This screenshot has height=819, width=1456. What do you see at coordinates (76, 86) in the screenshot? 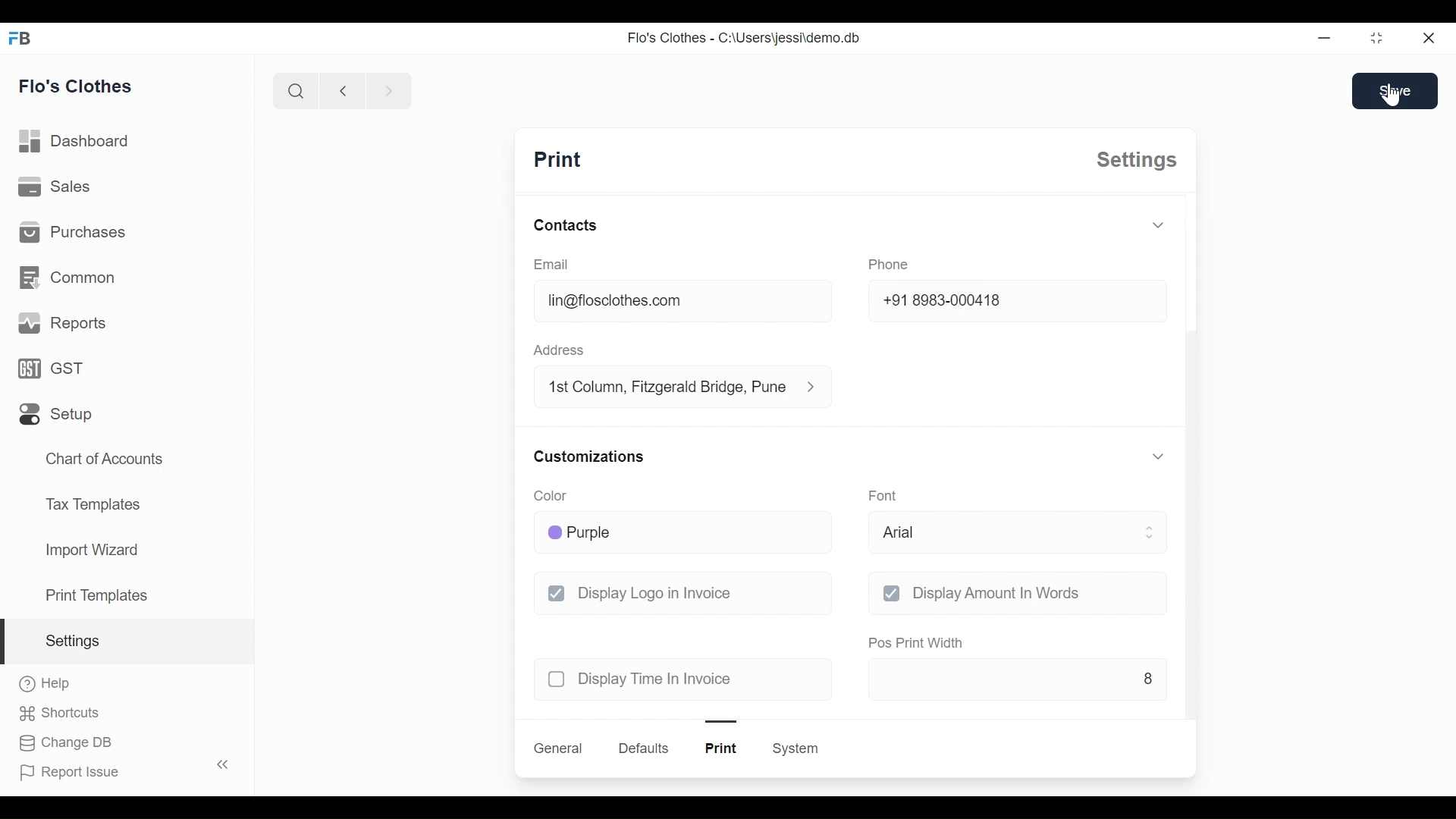
I see `flo's clothes` at bounding box center [76, 86].